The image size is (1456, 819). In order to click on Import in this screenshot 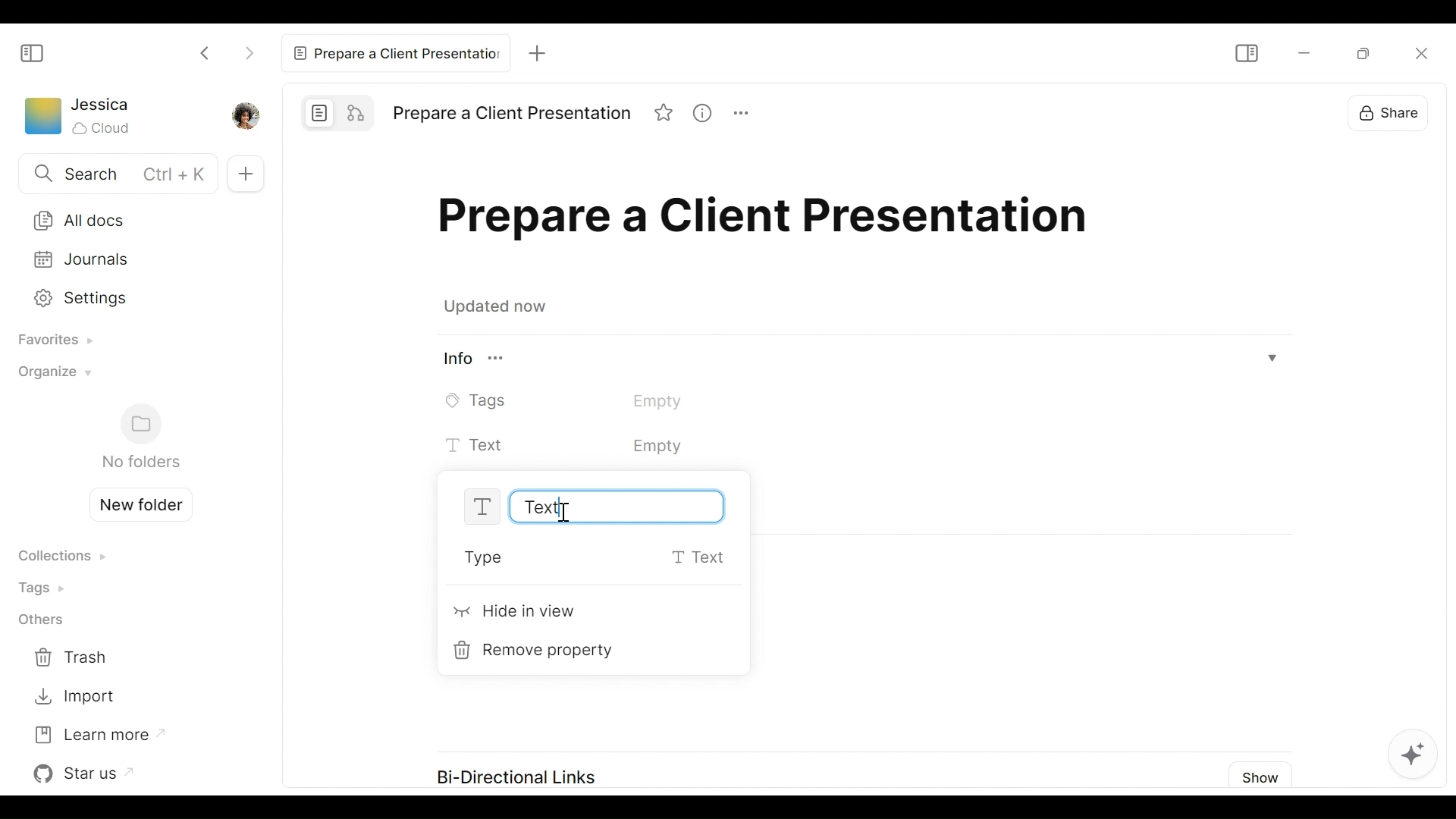, I will do `click(74, 697)`.